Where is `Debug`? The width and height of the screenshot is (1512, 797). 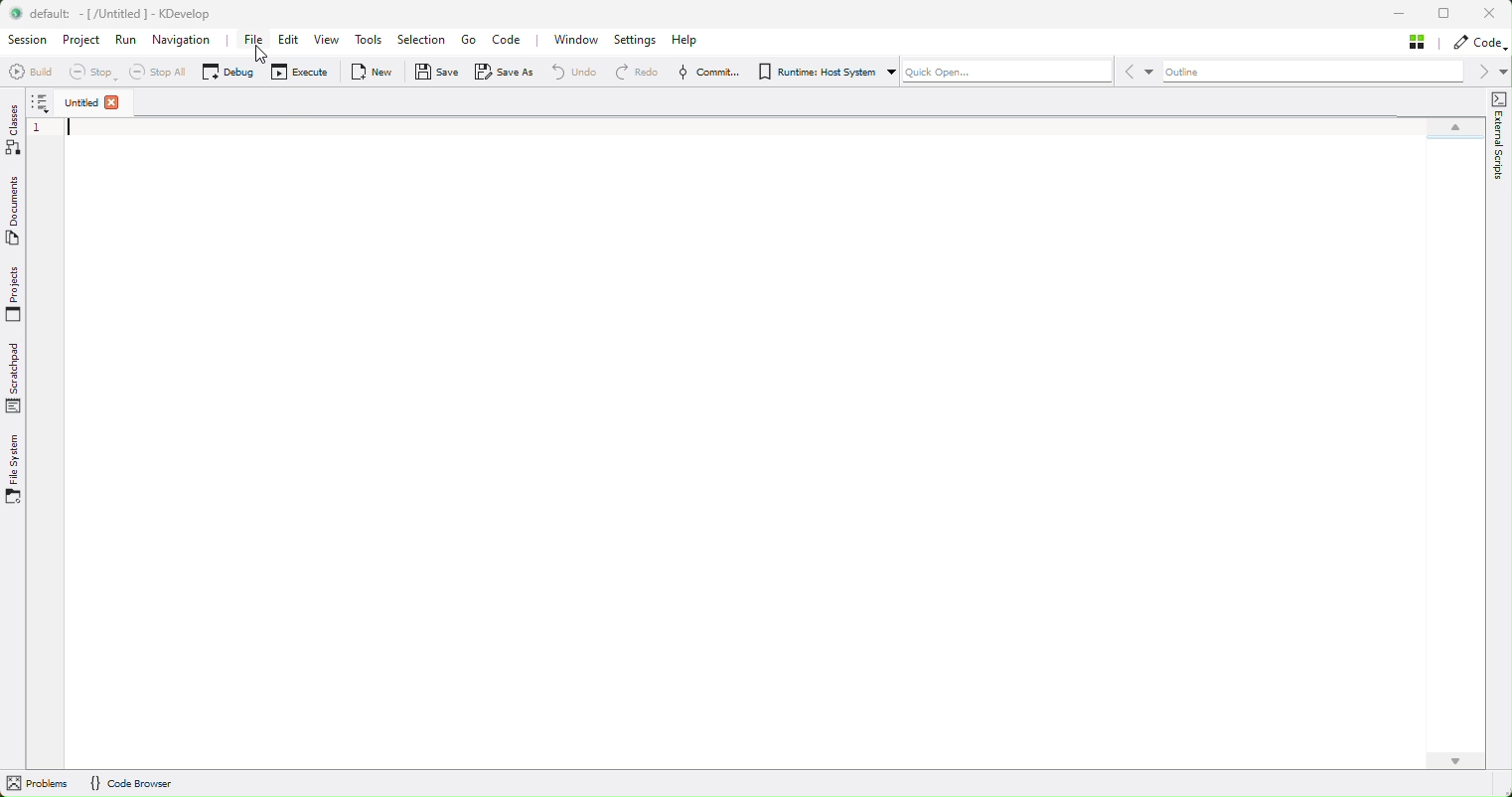 Debug is located at coordinates (233, 74).